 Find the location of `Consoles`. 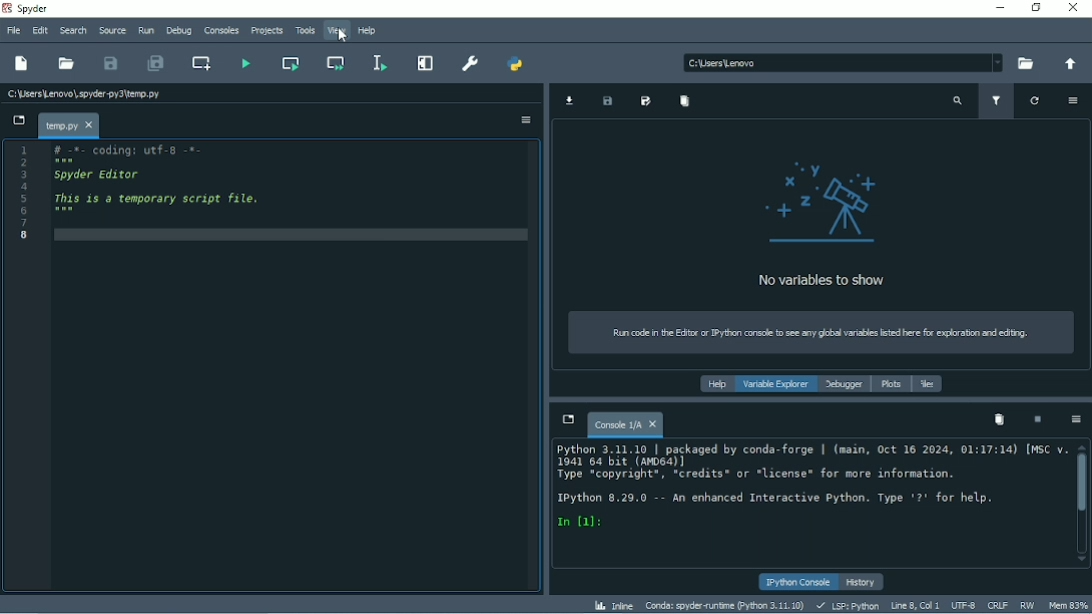

Consoles is located at coordinates (220, 31).